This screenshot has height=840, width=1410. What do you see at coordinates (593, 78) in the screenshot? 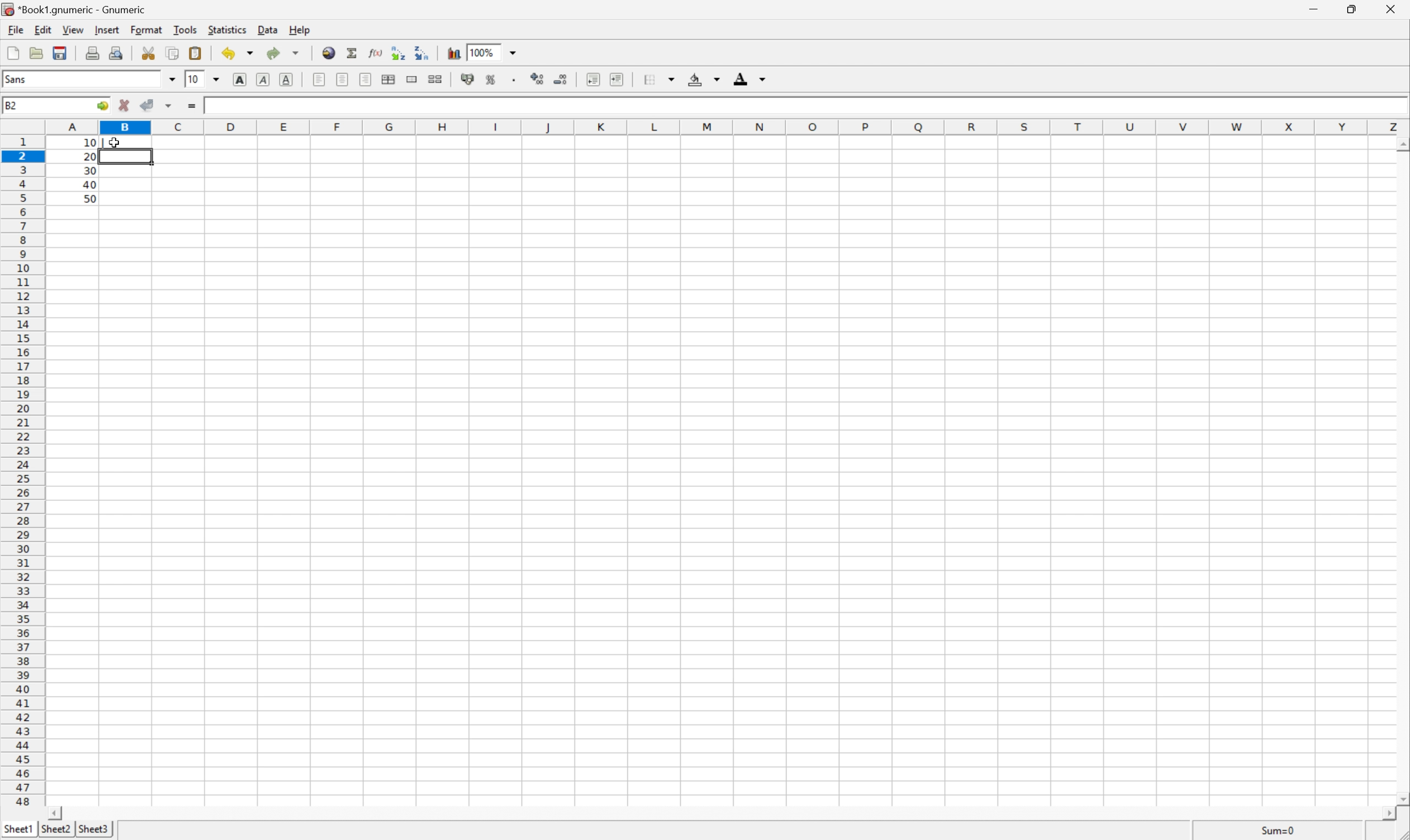
I see `Decrease indent, and align the contents to the left` at bounding box center [593, 78].